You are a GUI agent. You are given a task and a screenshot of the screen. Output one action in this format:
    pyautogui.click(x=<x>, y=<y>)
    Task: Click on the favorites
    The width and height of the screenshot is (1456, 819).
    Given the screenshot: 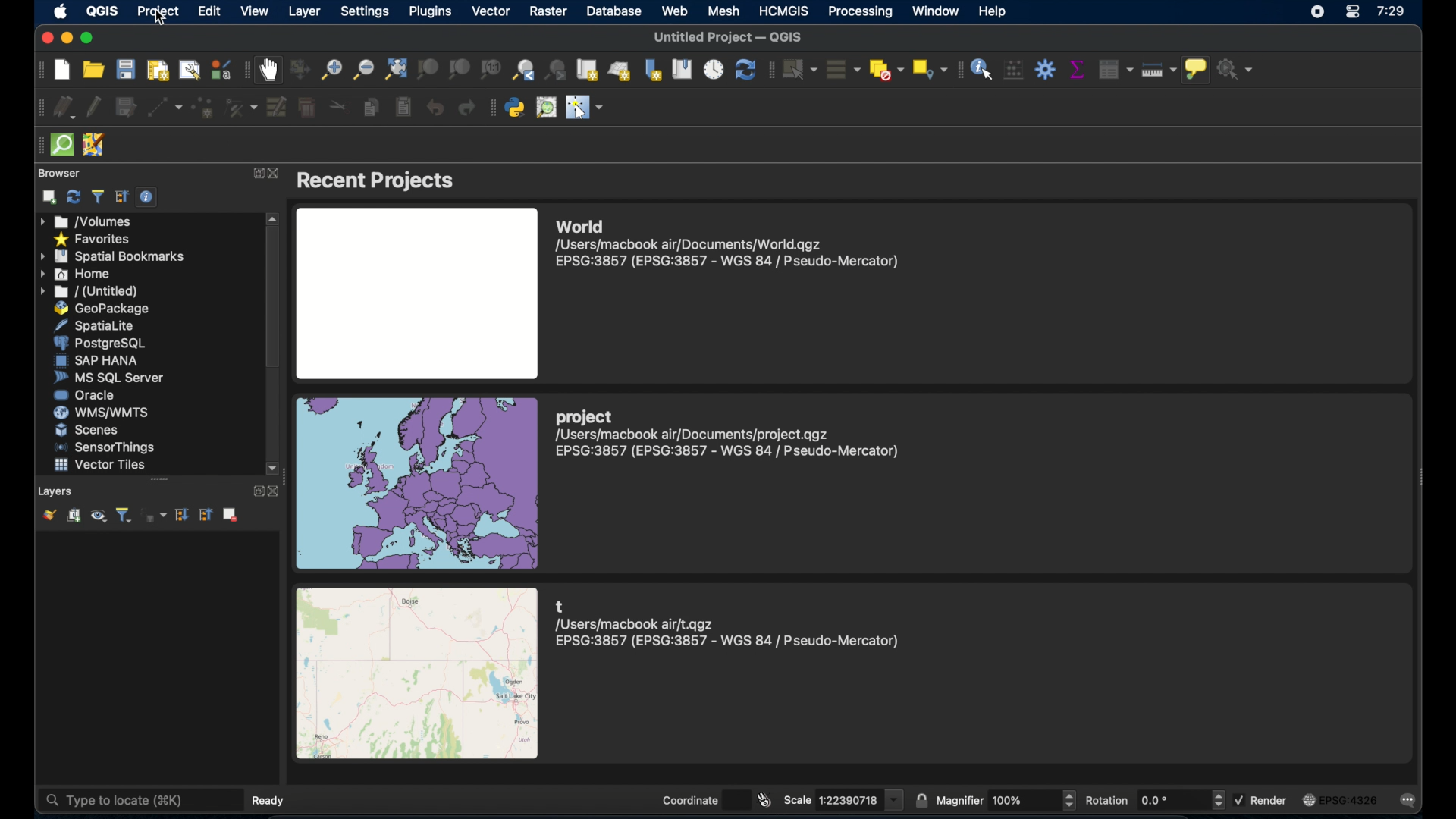 What is the action you would take?
    pyautogui.click(x=93, y=239)
    